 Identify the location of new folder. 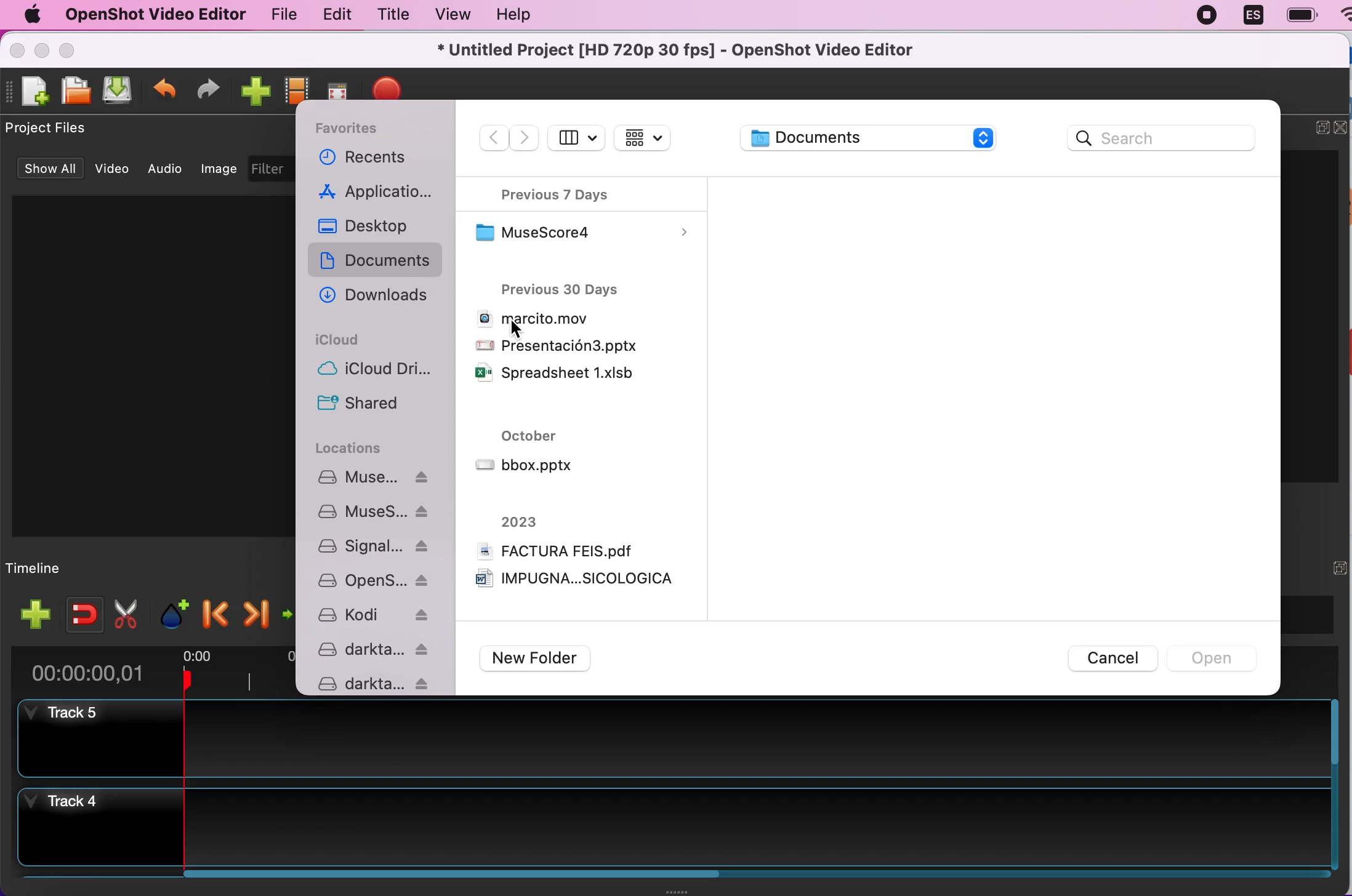
(550, 659).